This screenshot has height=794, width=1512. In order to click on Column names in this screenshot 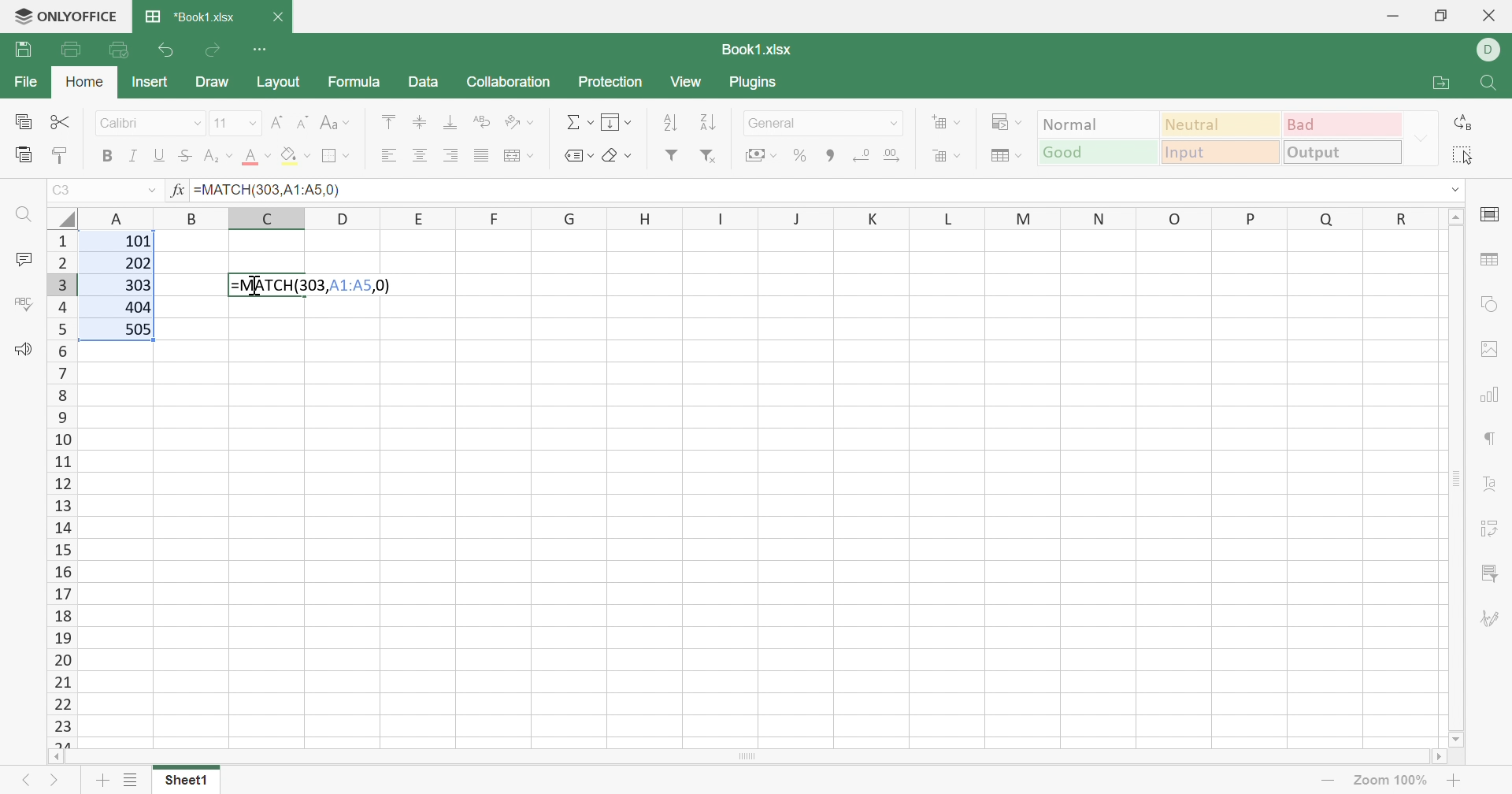, I will do `click(758, 218)`.